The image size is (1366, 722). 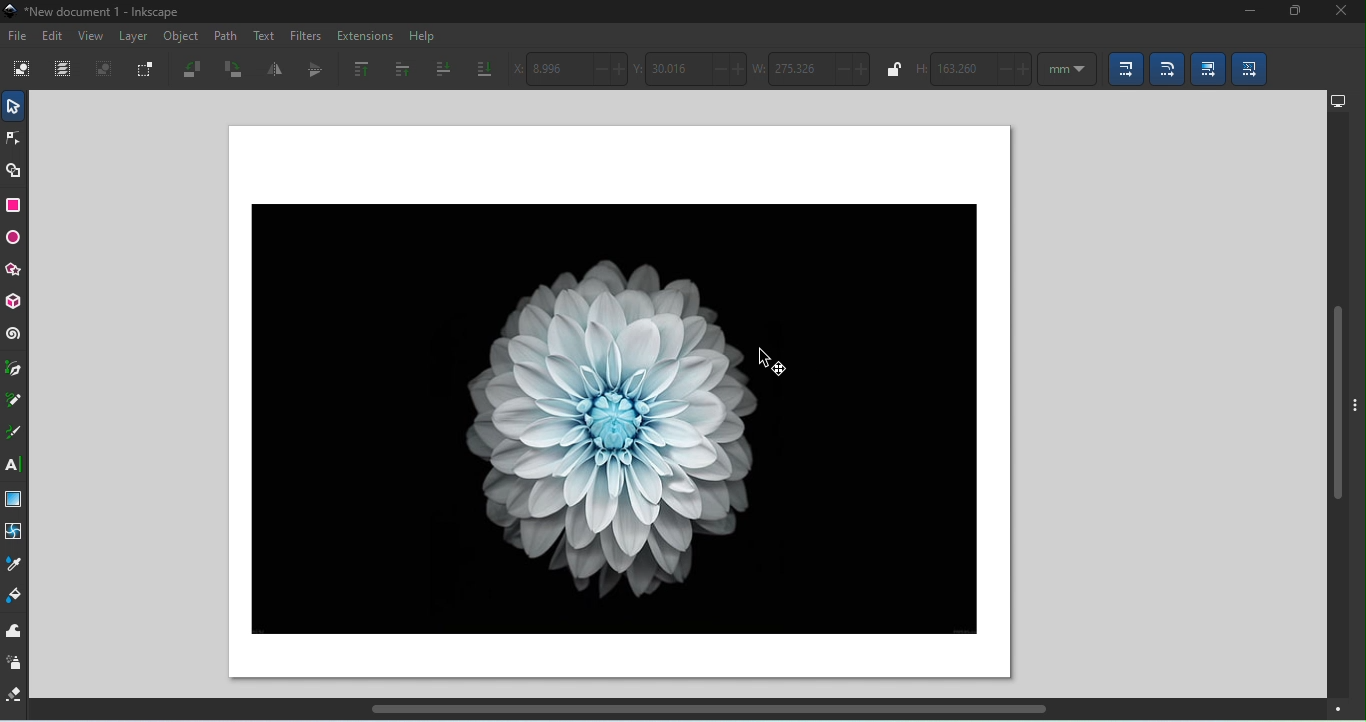 I want to click on Move gradients (in fill and stroke) along with the objects, so click(x=1206, y=67).